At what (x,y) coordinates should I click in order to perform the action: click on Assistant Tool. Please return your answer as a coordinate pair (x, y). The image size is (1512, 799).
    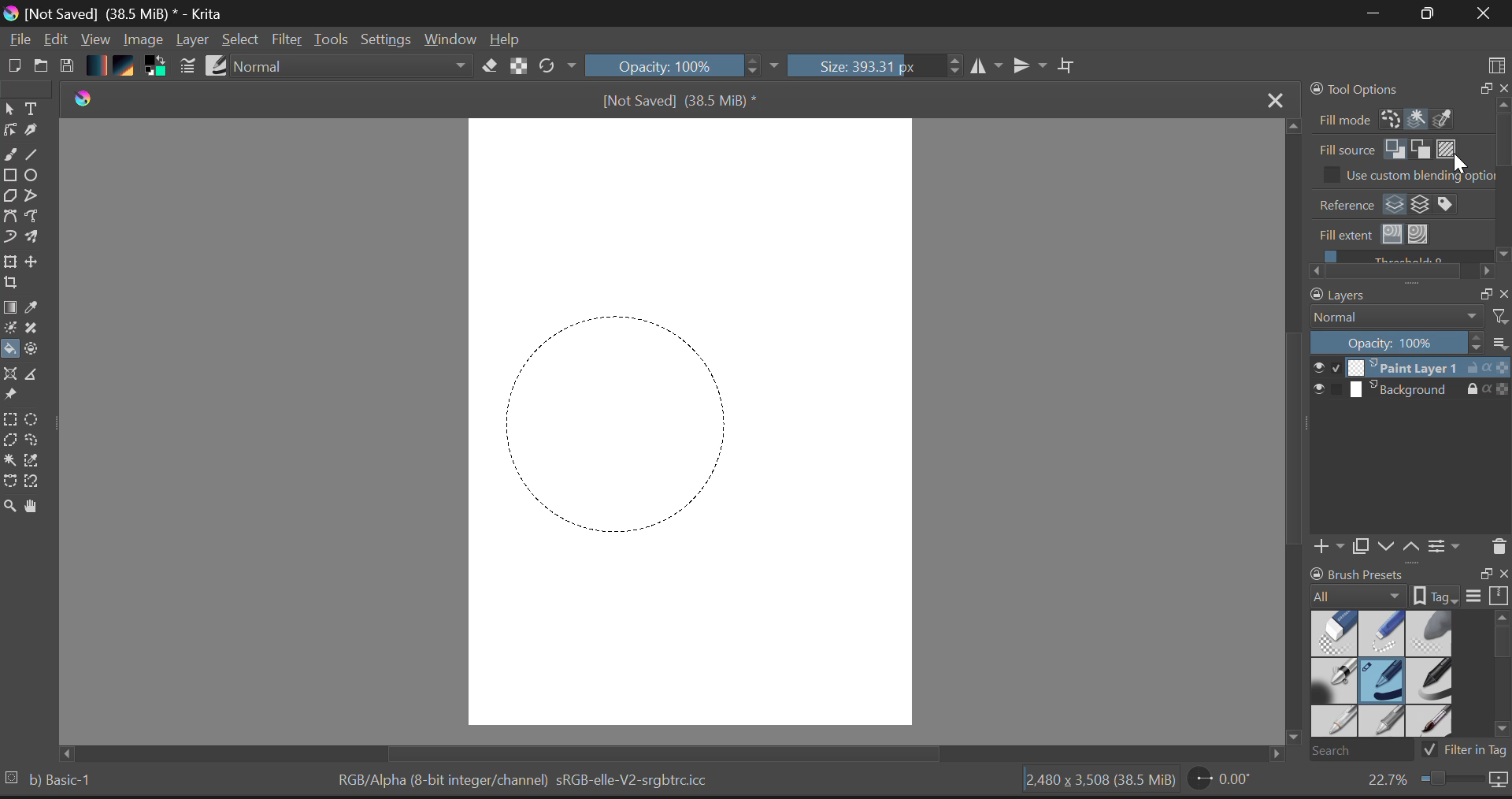
    Looking at the image, I should click on (13, 372).